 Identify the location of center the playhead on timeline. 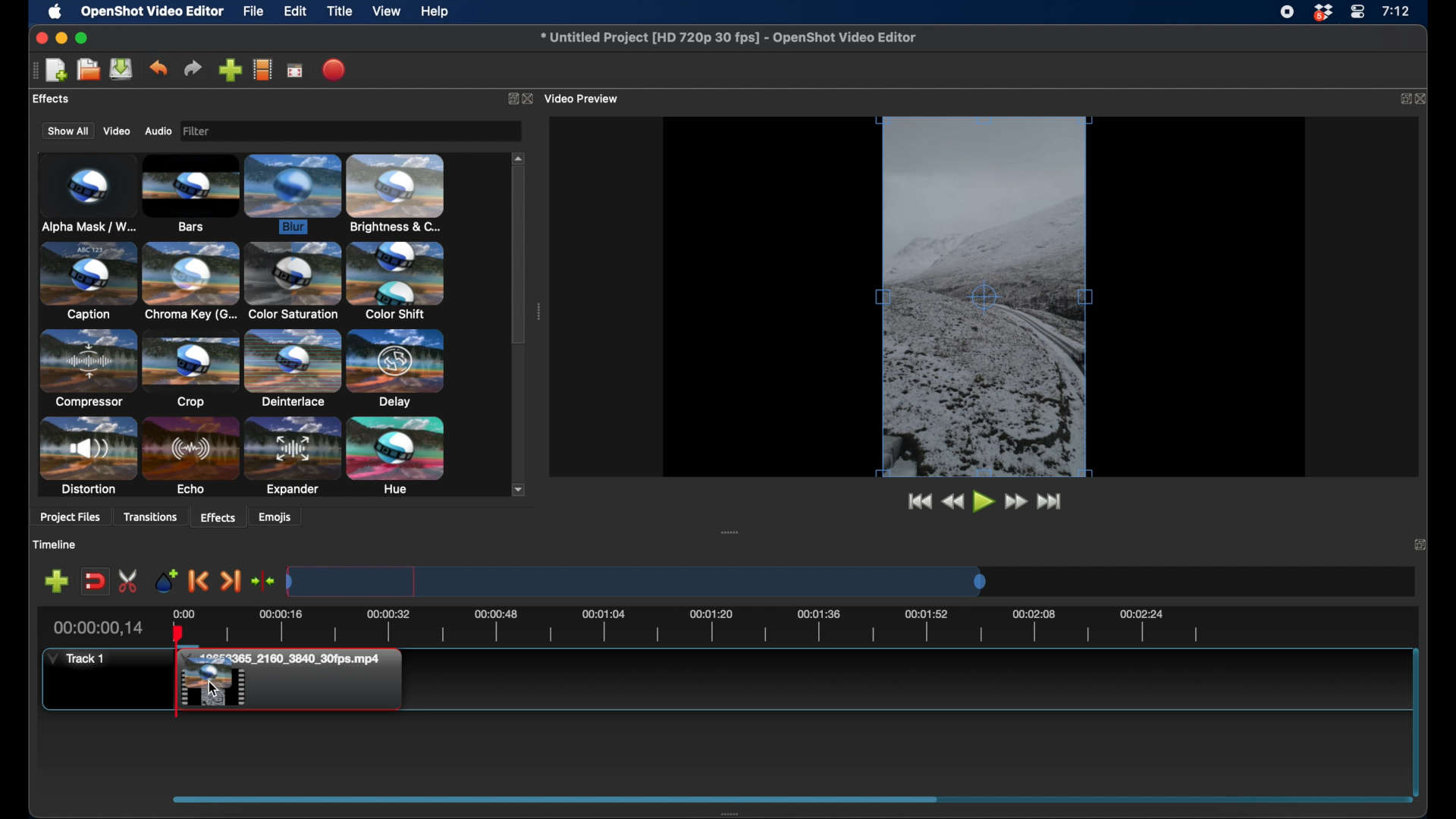
(264, 580).